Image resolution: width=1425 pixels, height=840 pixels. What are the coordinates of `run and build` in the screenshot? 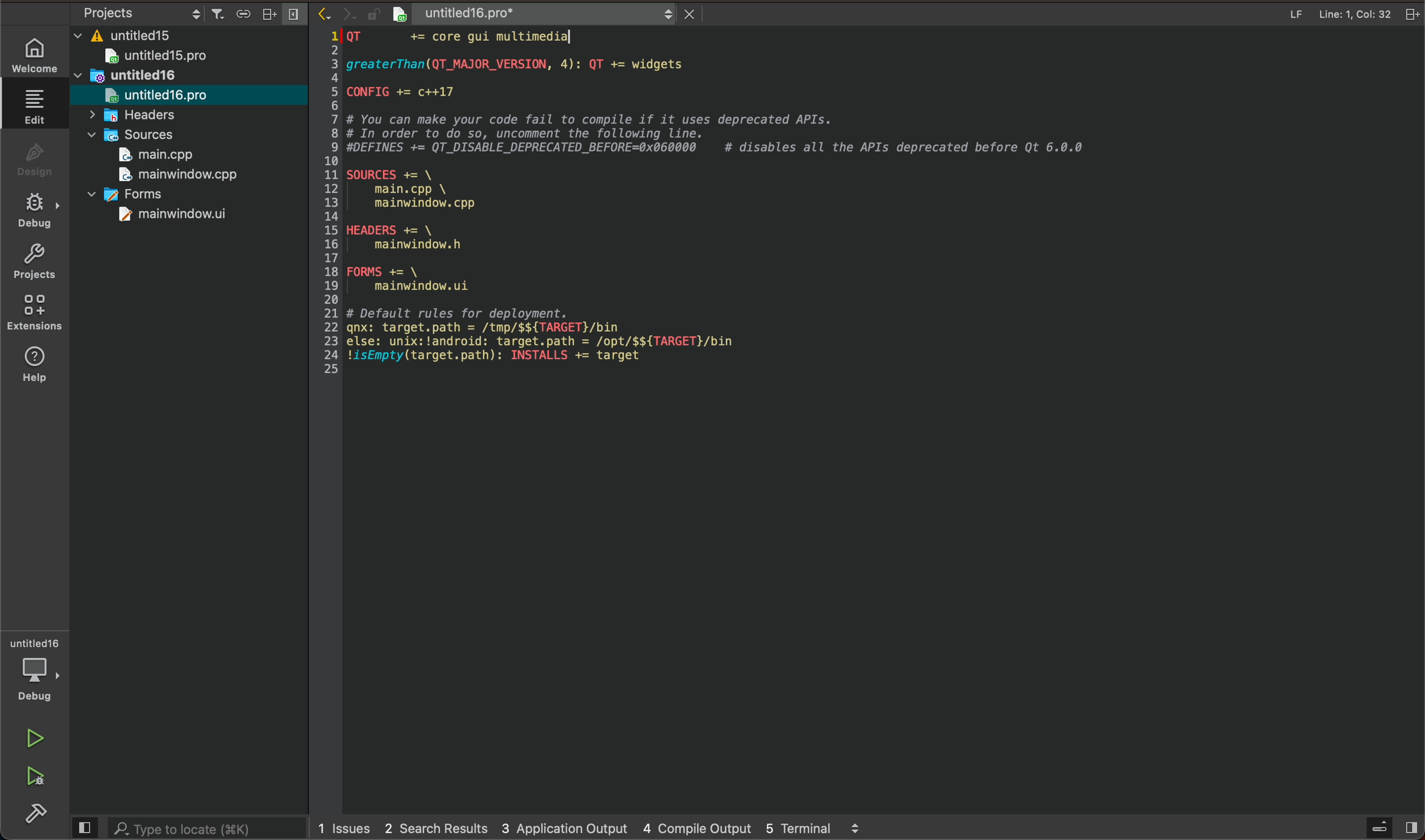 It's located at (35, 777).